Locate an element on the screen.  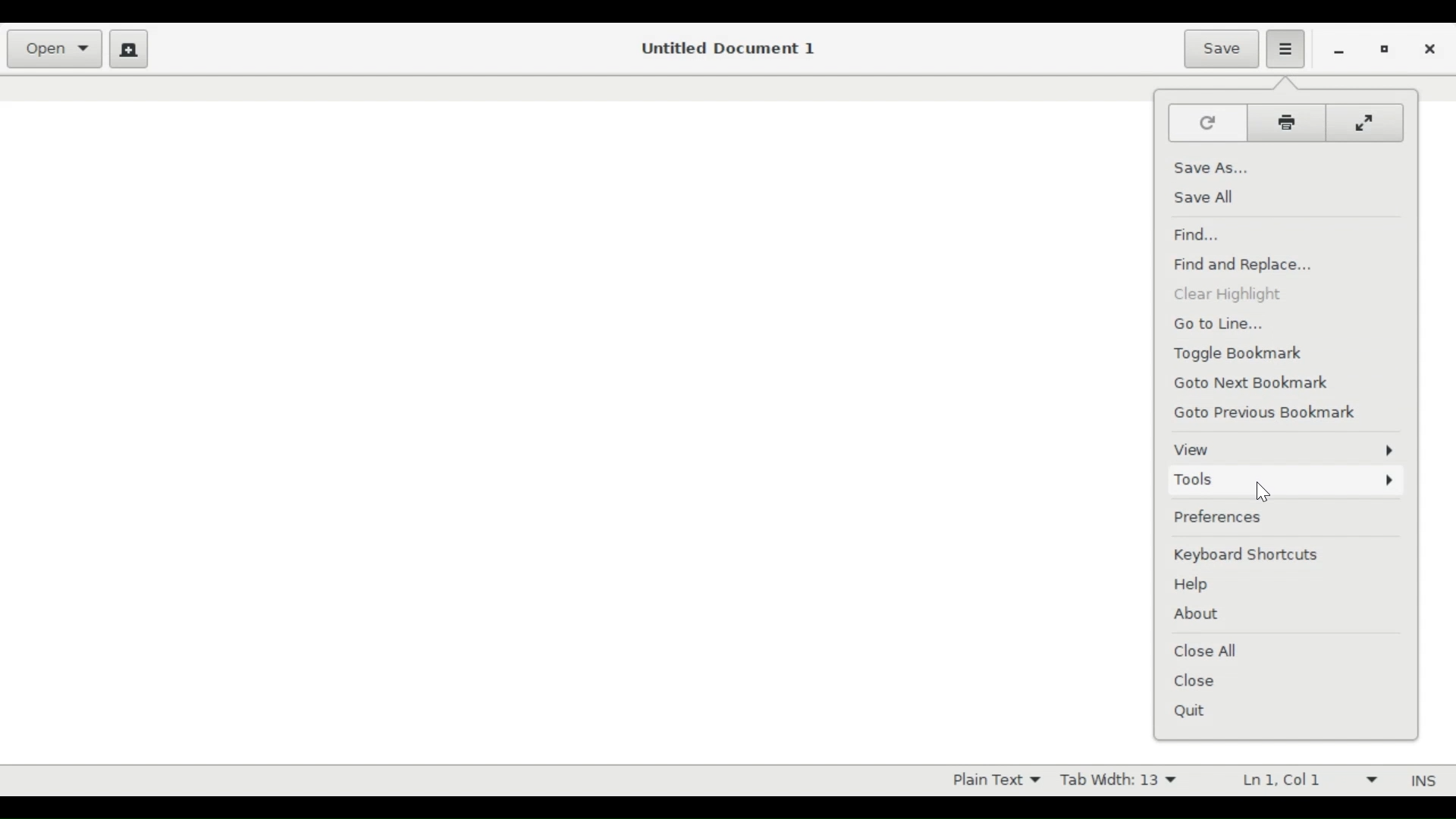
Clear Highlight is located at coordinates (1228, 294).